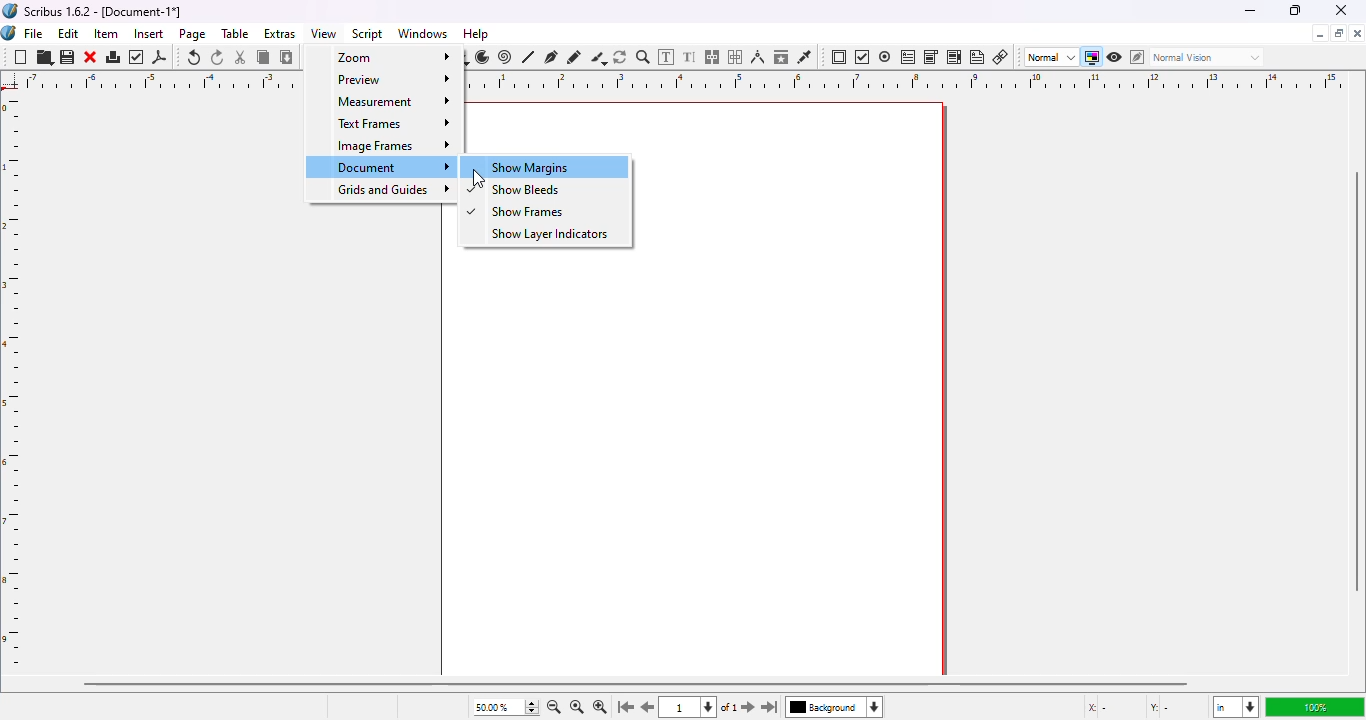 This screenshot has height=720, width=1366. What do you see at coordinates (423, 34) in the screenshot?
I see `windows` at bounding box center [423, 34].